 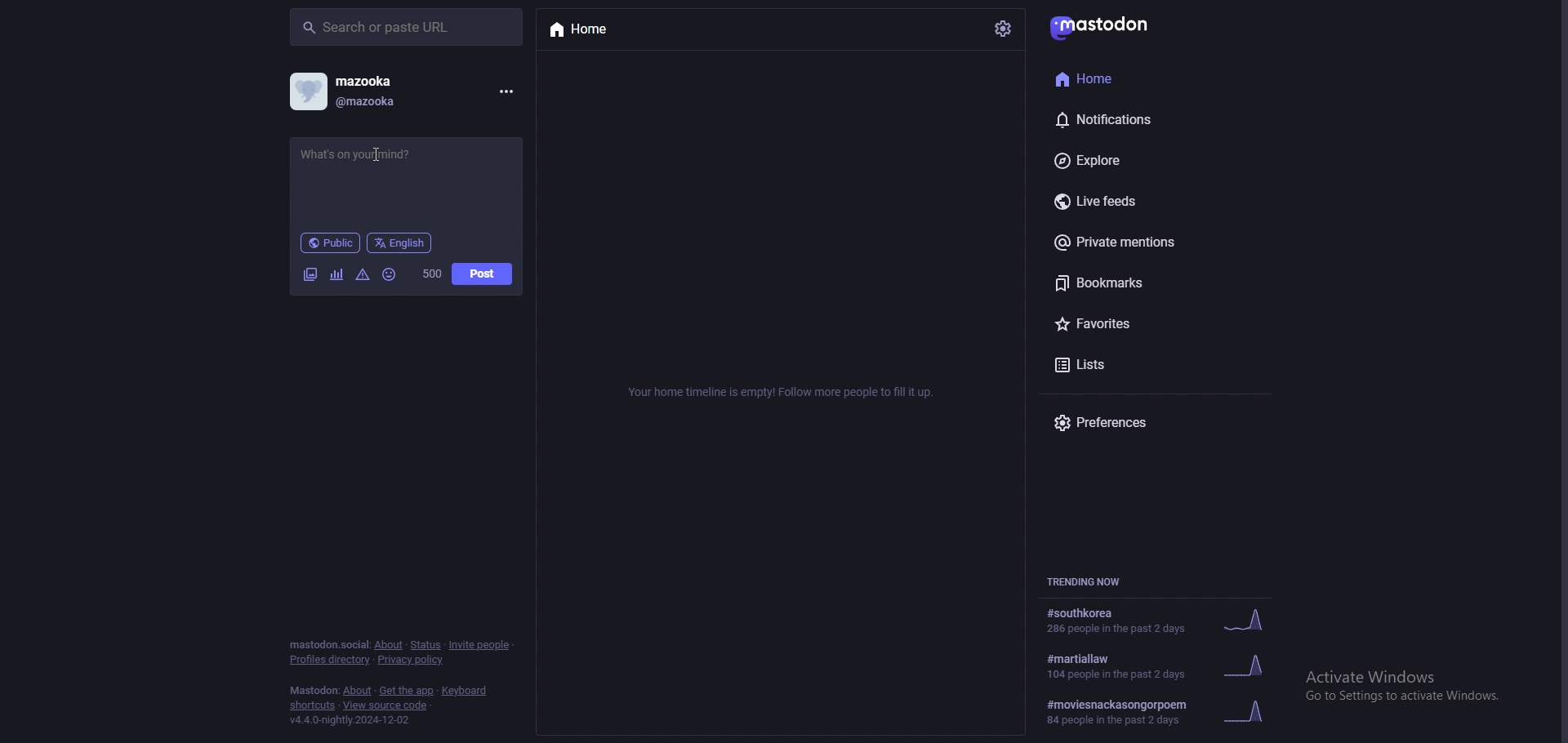 What do you see at coordinates (351, 720) in the screenshot?
I see `version` at bounding box center [351, 720].